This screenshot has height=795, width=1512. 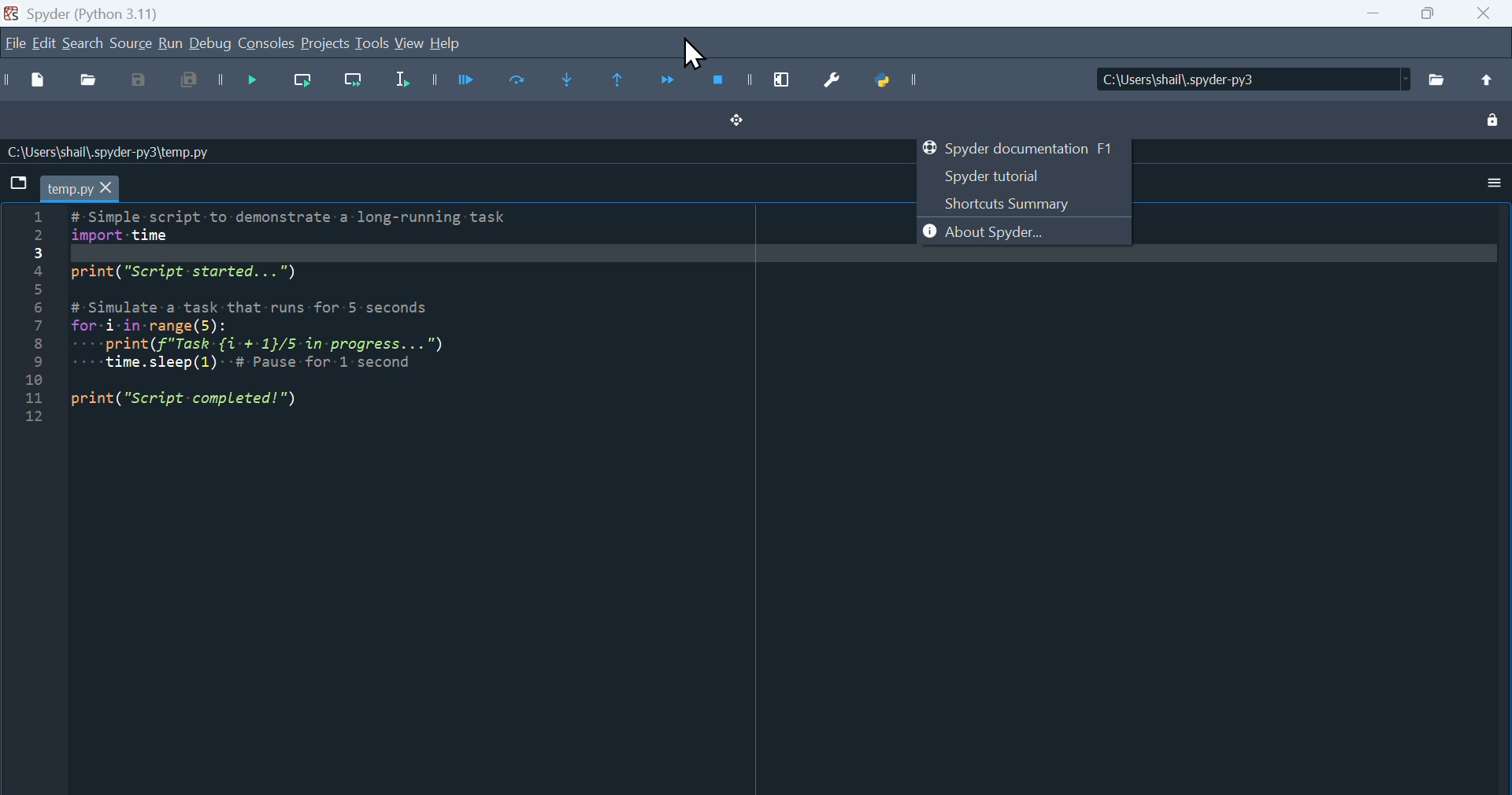 I want to click on maximise current window, so click(x=784, y=80).